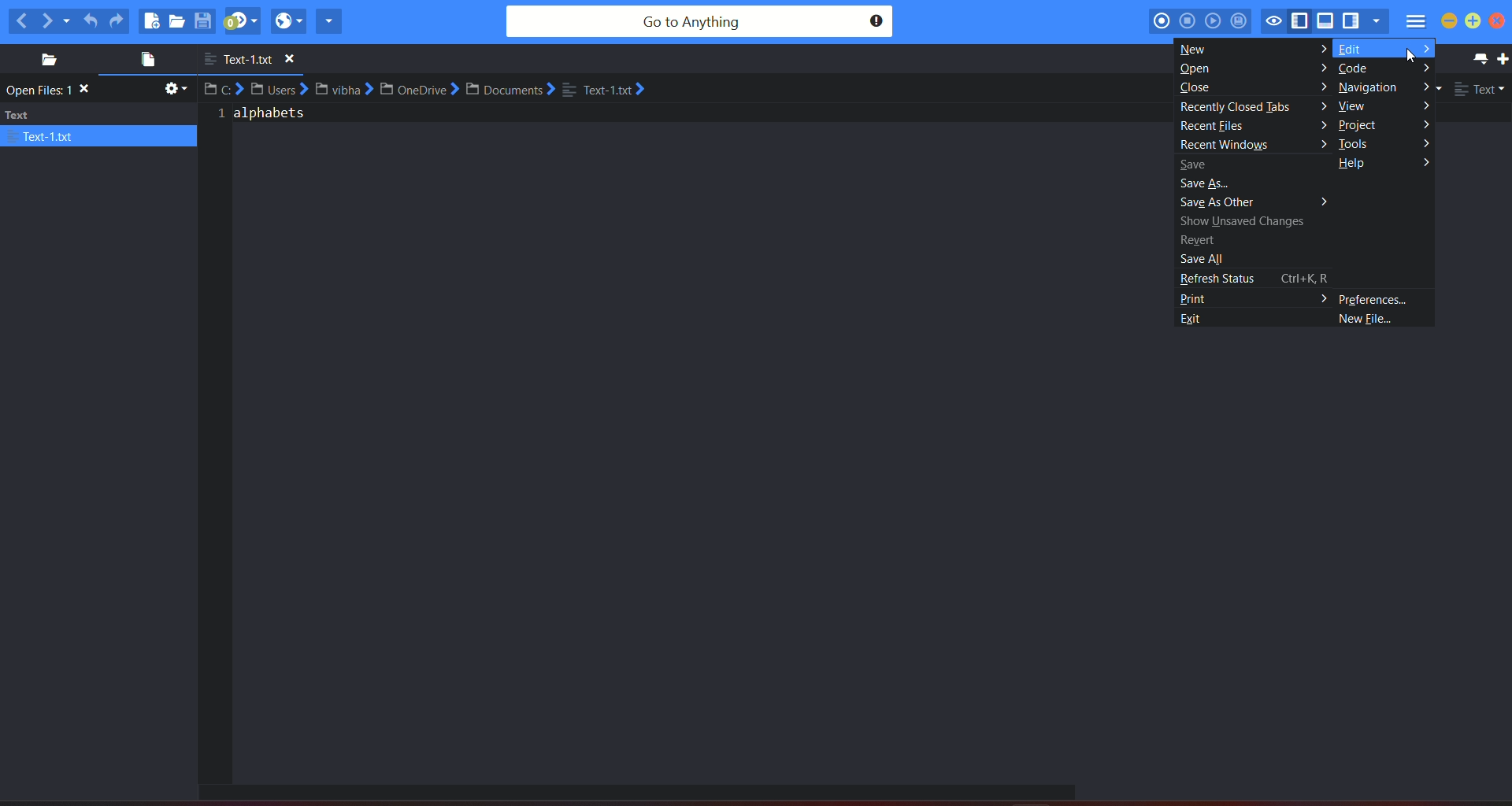 The height and width of the screenshot is (806, 1512). What do you see at coordinates (1327, 199) in the screenshot?
I see `More` at bounding box center [1327, 199].